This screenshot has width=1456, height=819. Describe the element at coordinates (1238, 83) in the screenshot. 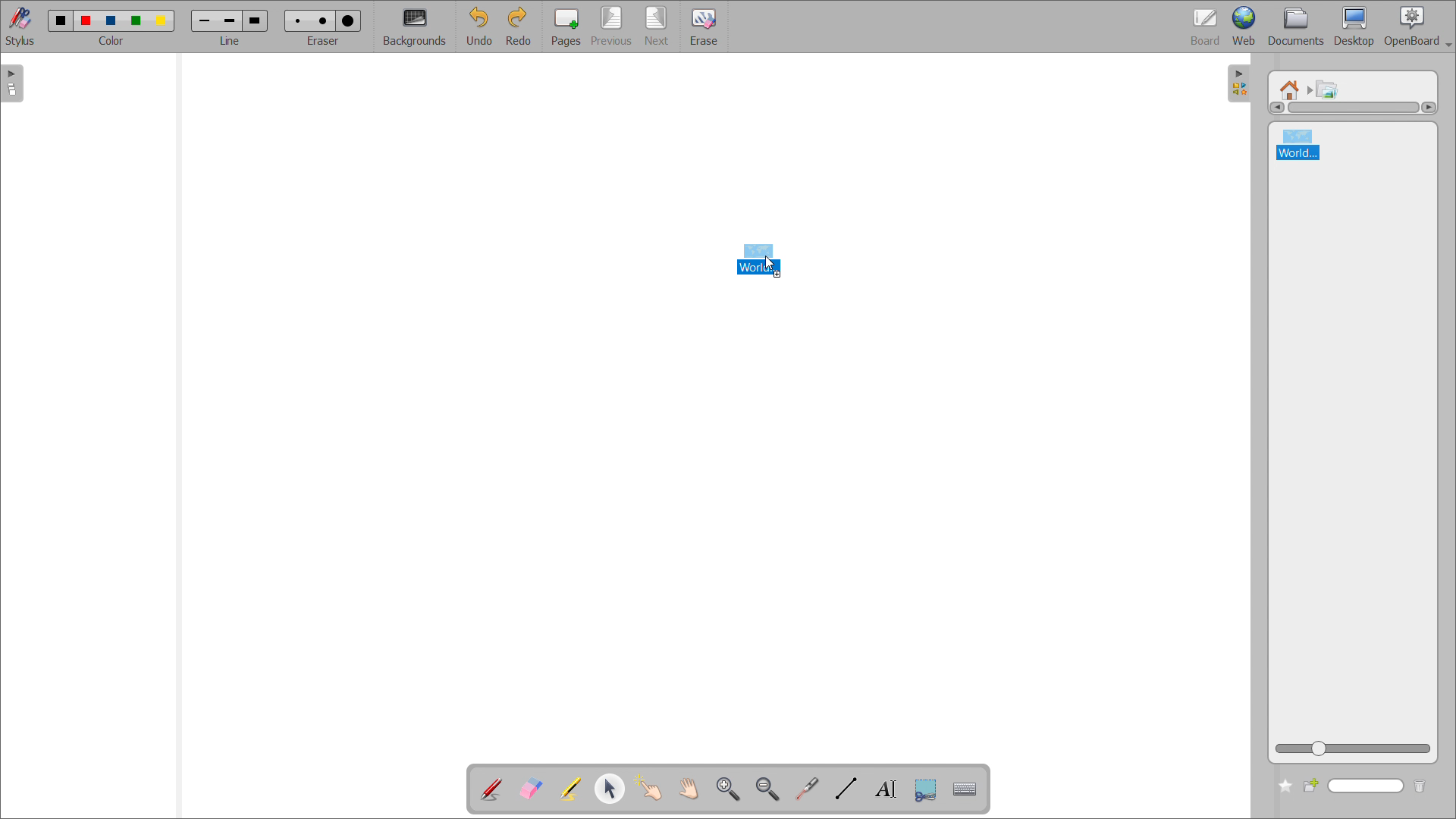

I see `open folders view` at that location.